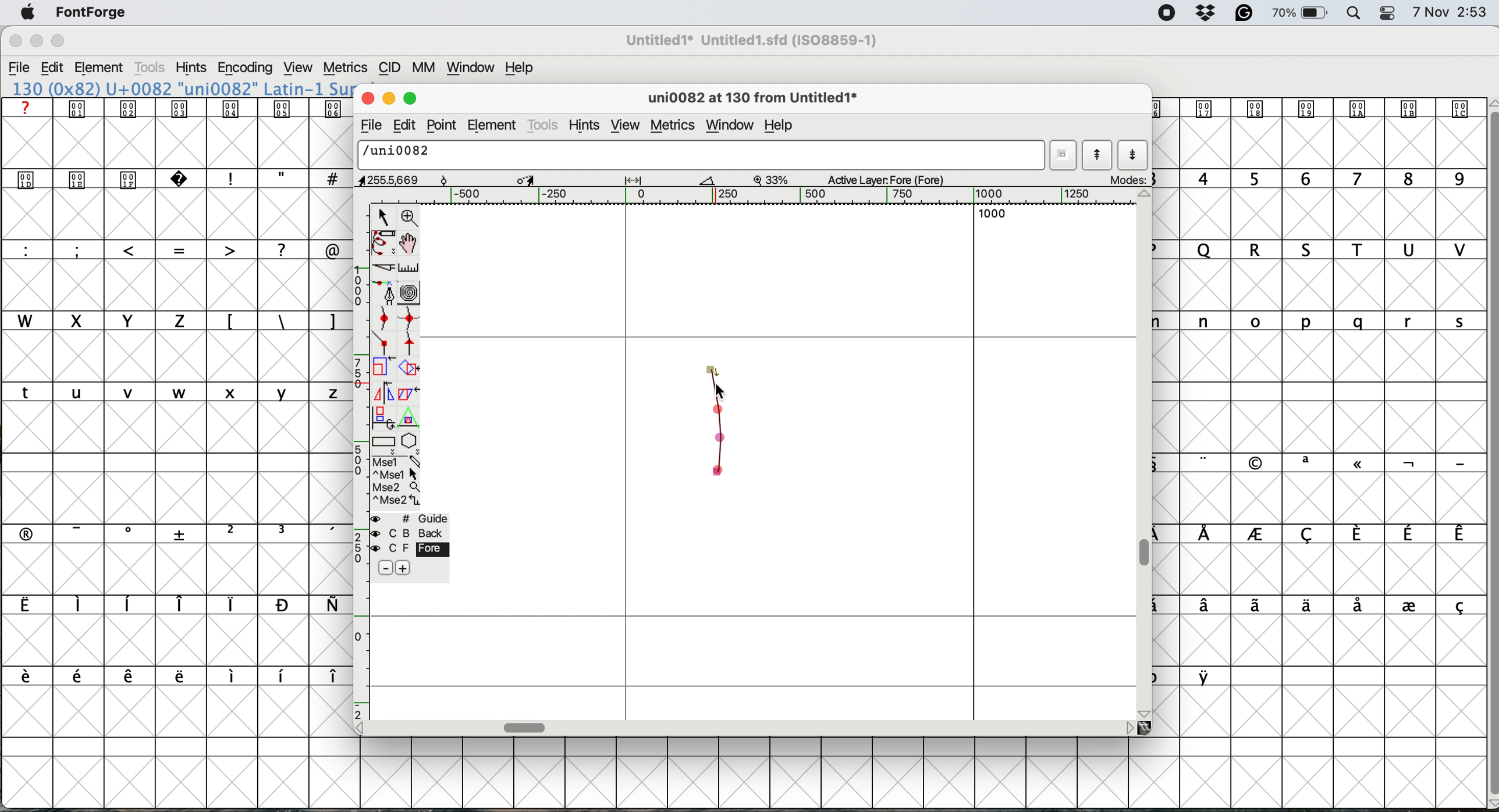 The height and width of the screenshot is (812, 1499). What do you see at coordinates (784, 126) in the screenshot?
I see `help` at bounding box center [784, 126].